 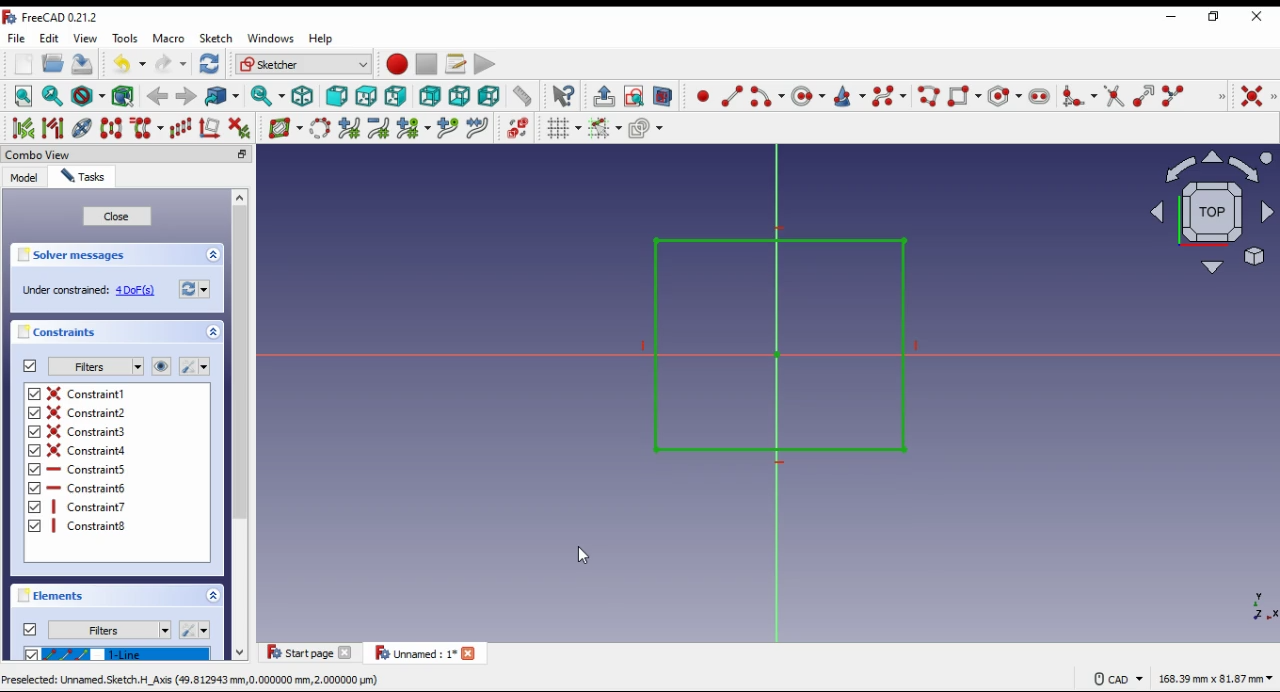 I want to click on left, so click(x=490, y=96).